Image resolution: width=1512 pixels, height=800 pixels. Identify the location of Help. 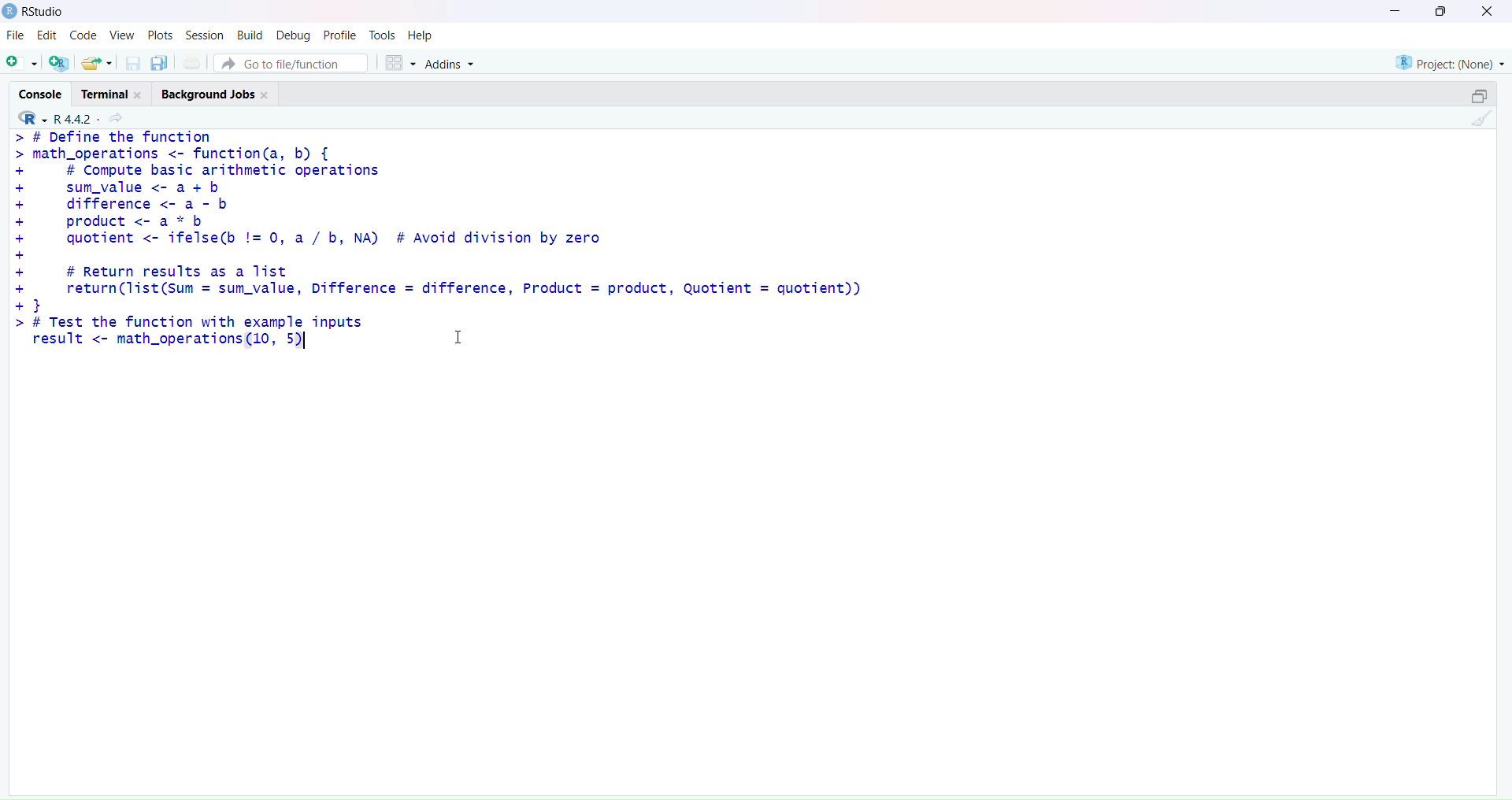
(423, 35).